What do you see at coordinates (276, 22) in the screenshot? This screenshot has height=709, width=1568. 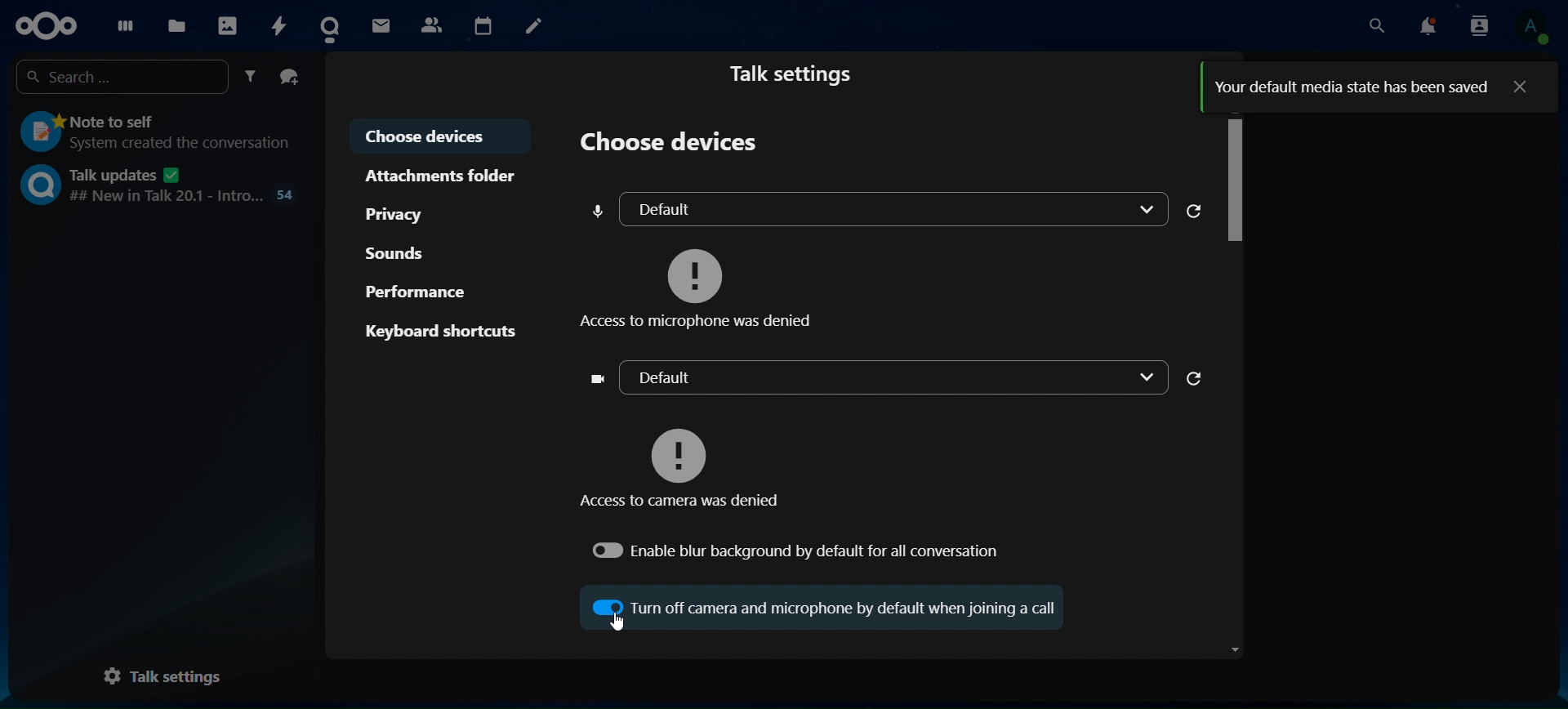 I see `activity` at bounding box center [276, 22].